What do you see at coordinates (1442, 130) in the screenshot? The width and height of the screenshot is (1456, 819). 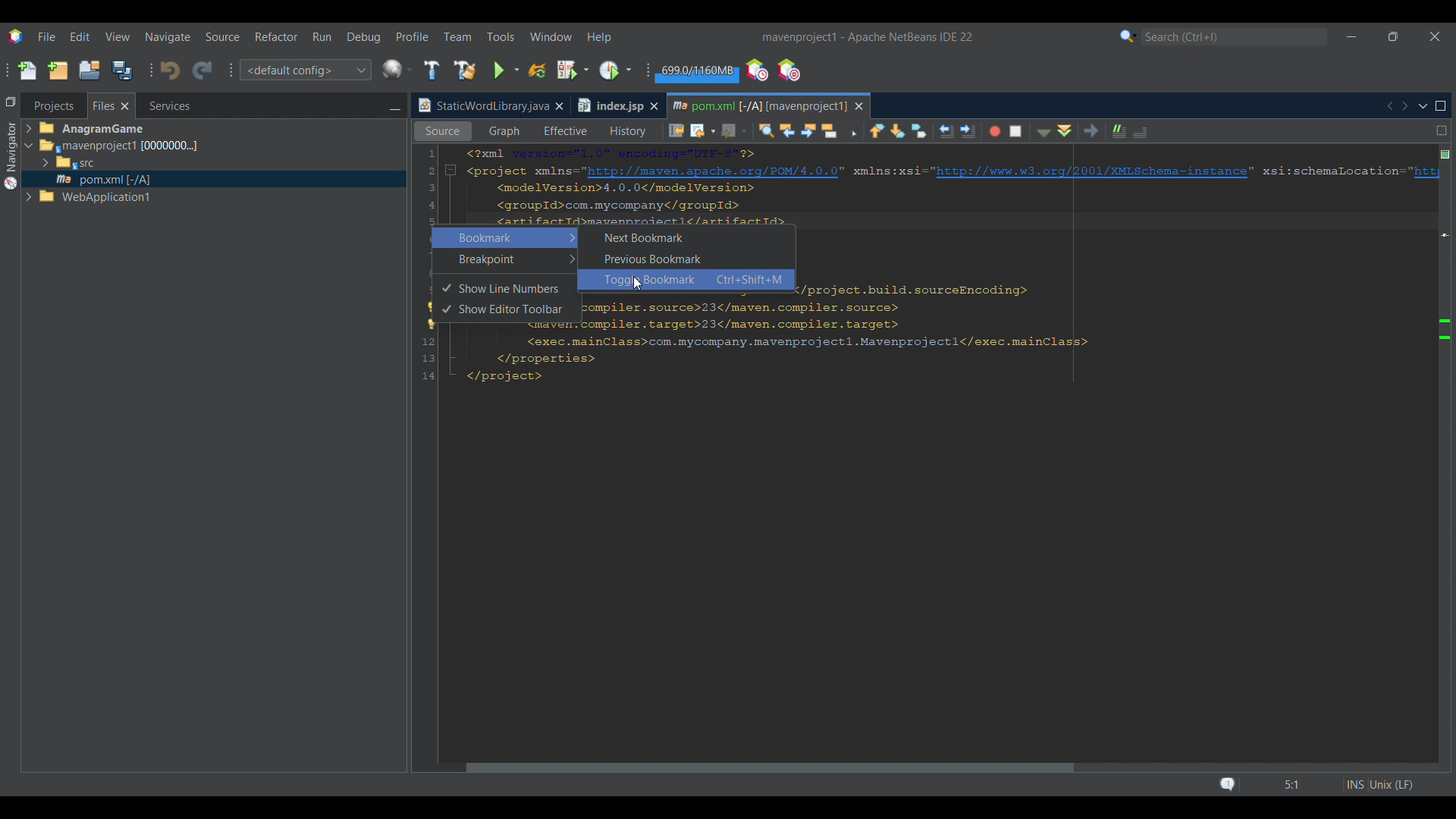 I see `Split window horizontally or vertically` at bounding box center [1442, 130].